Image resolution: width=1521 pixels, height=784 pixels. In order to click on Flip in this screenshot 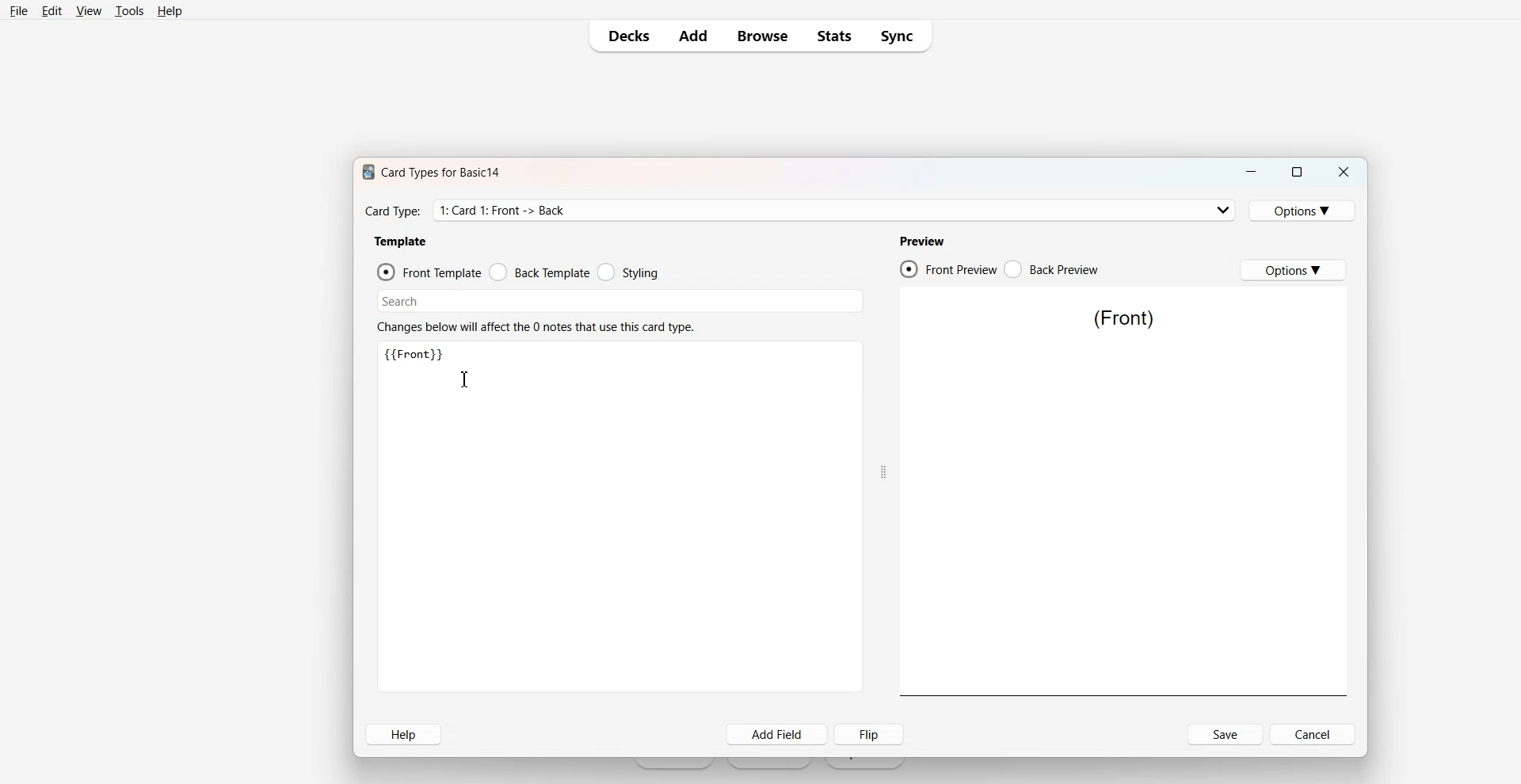, I will do `click(869, 734)`.